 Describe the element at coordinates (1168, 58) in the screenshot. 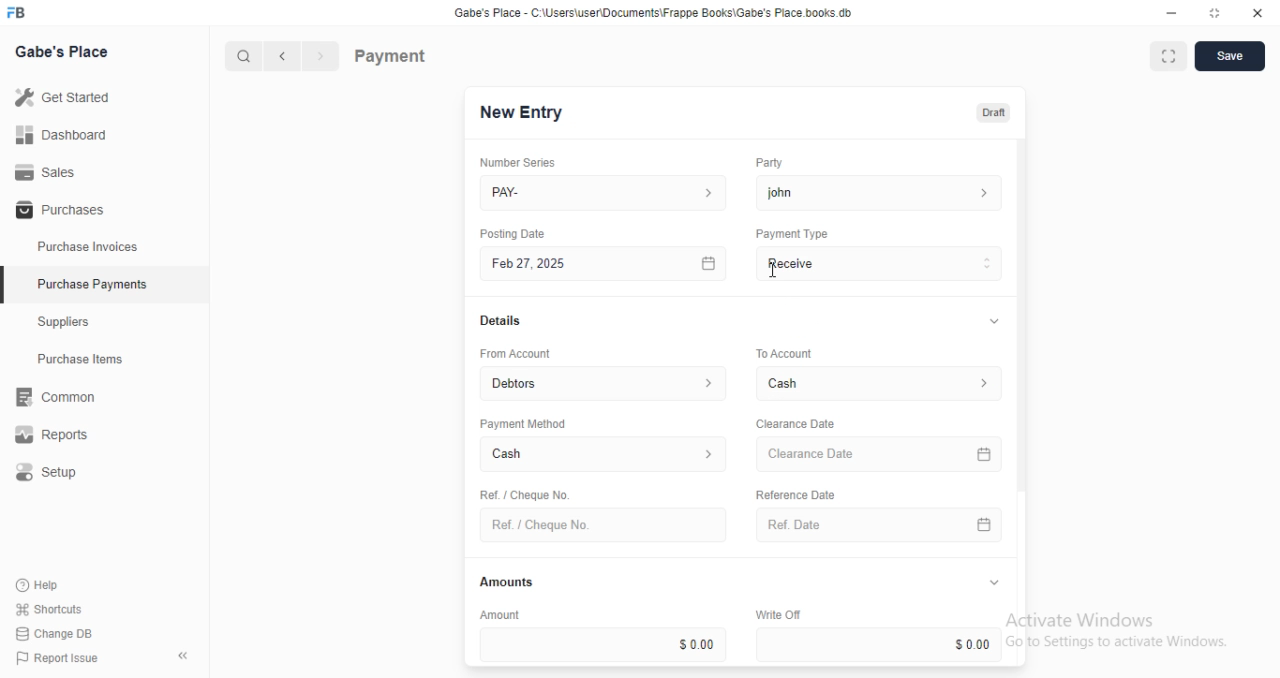

I see `fit to window` at that location.